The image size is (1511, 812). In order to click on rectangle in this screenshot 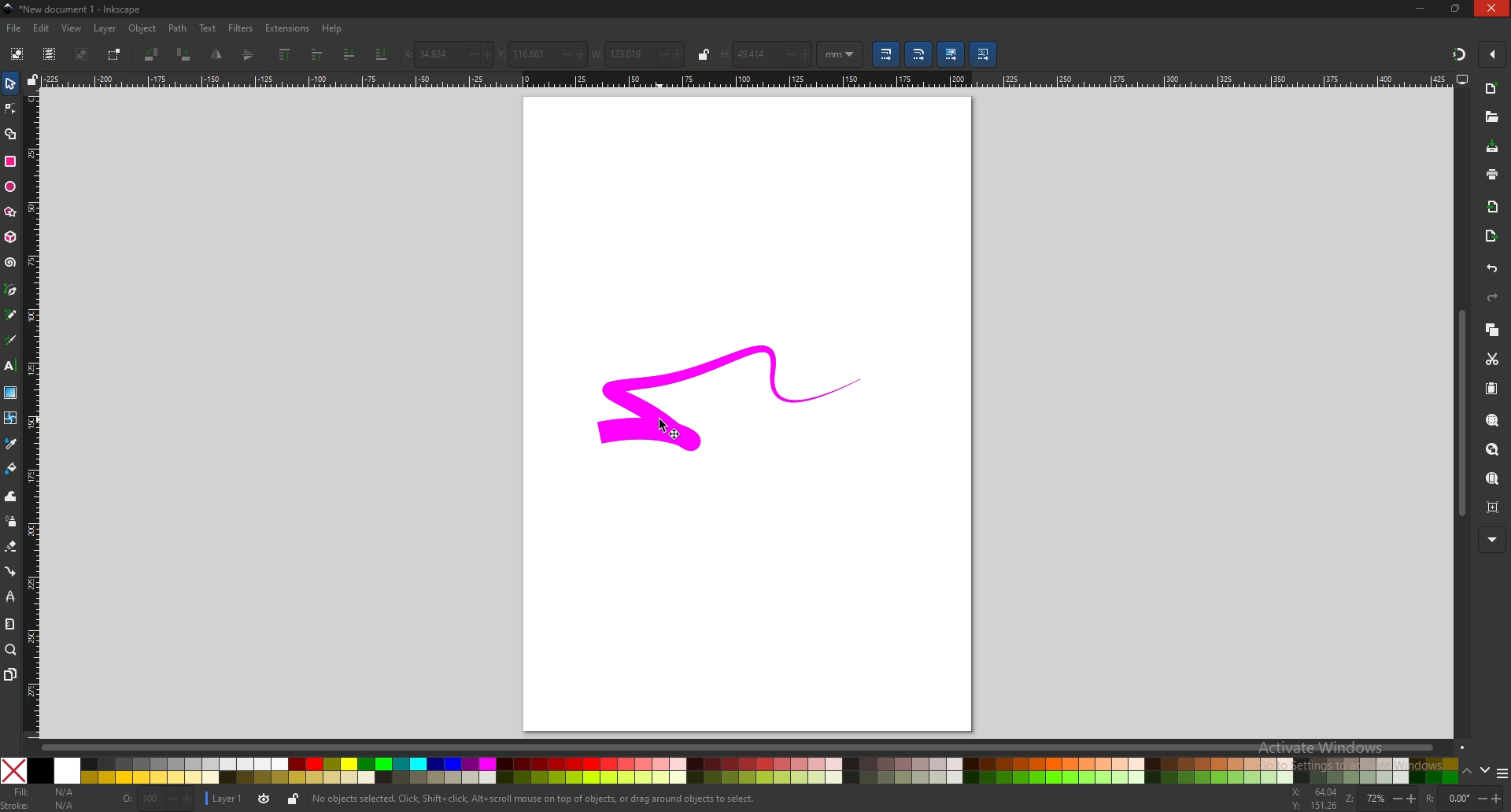, I will do `click(9, 161)`.